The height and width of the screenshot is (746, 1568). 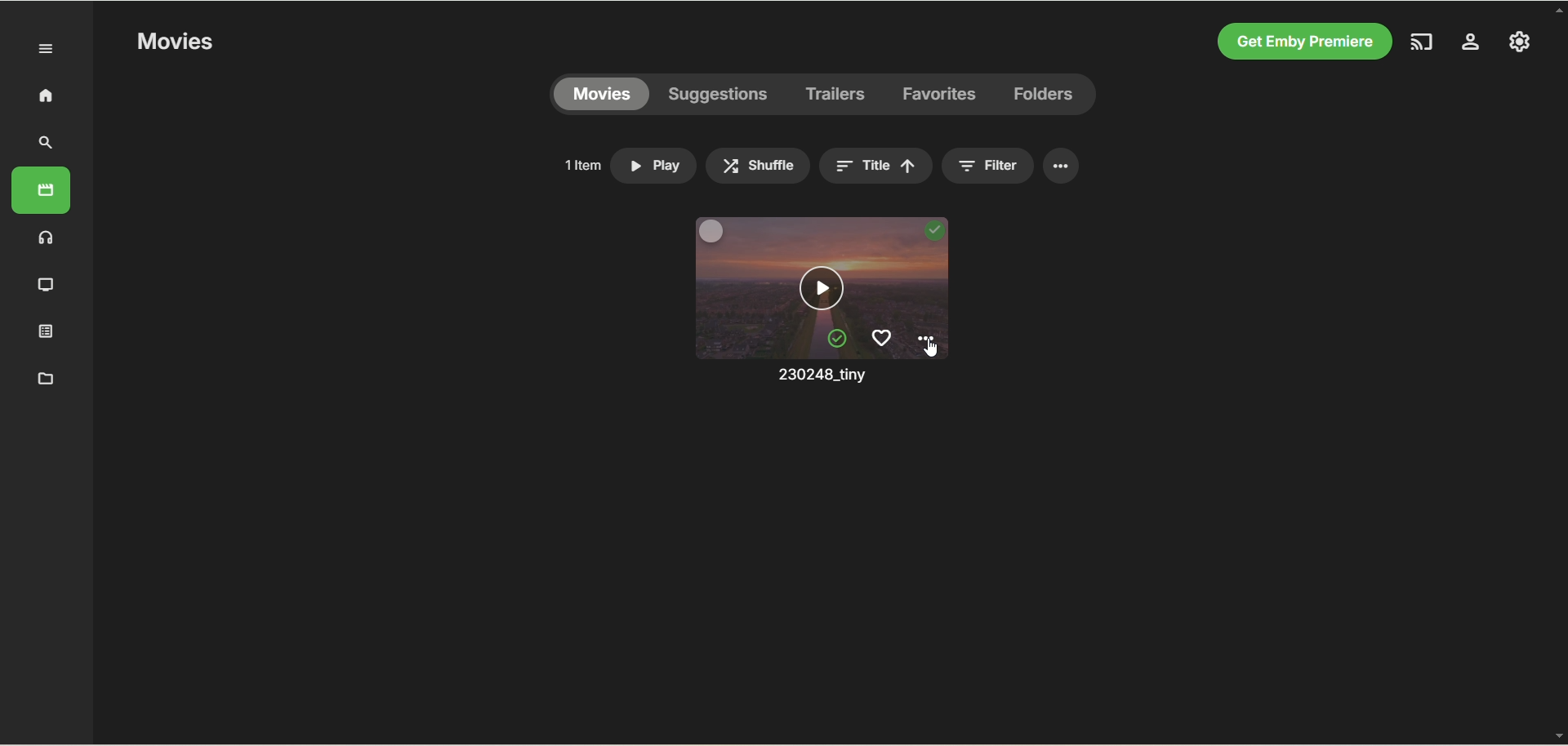 What do you see at coordinates (719, 95) in the screenshot?
I see `suggestions` at bounding box center [719, 95].